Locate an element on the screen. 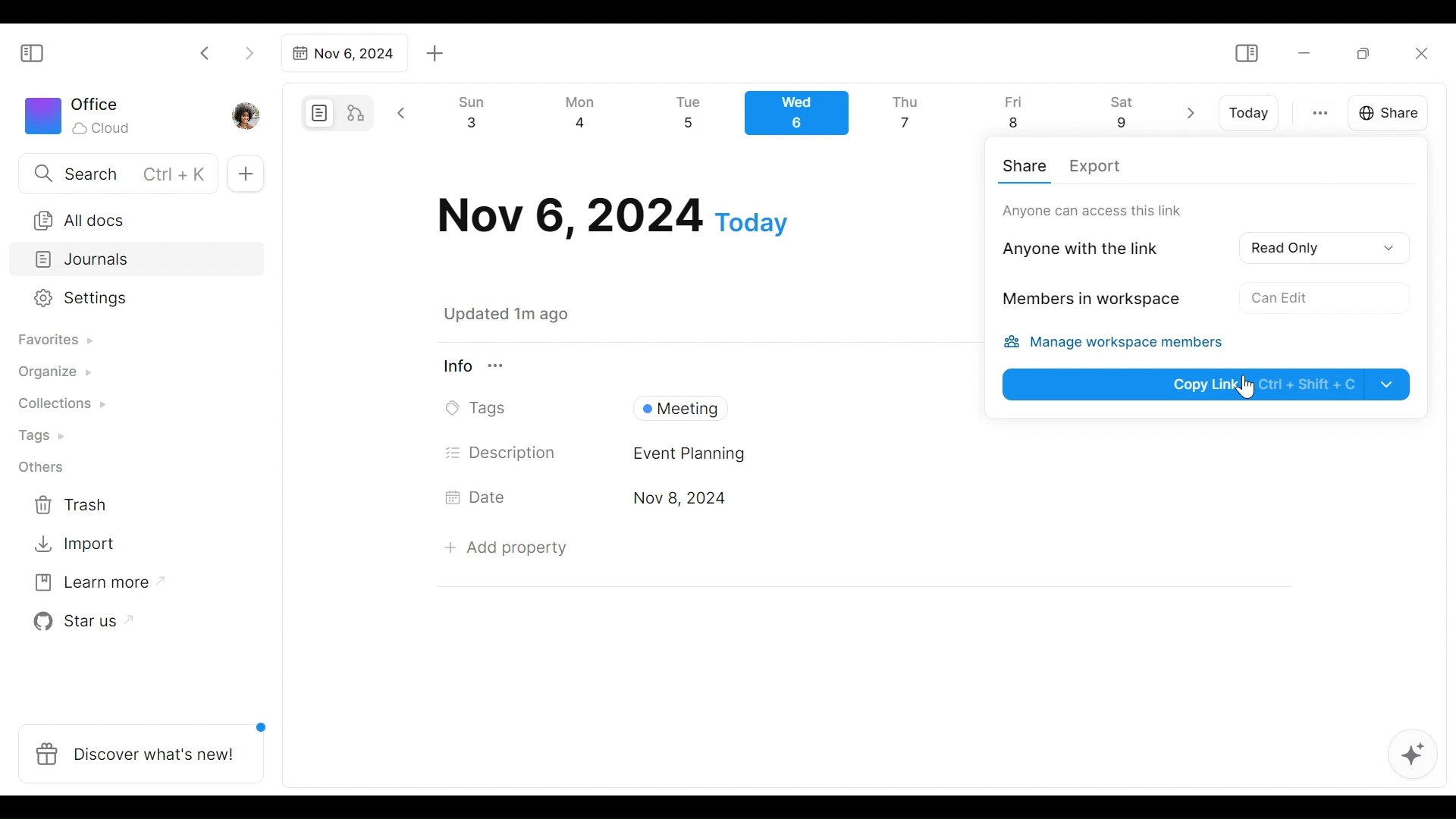 The width and height of the screenshot is (1456, 819). Cursor is located at coordinates (1254, 386).